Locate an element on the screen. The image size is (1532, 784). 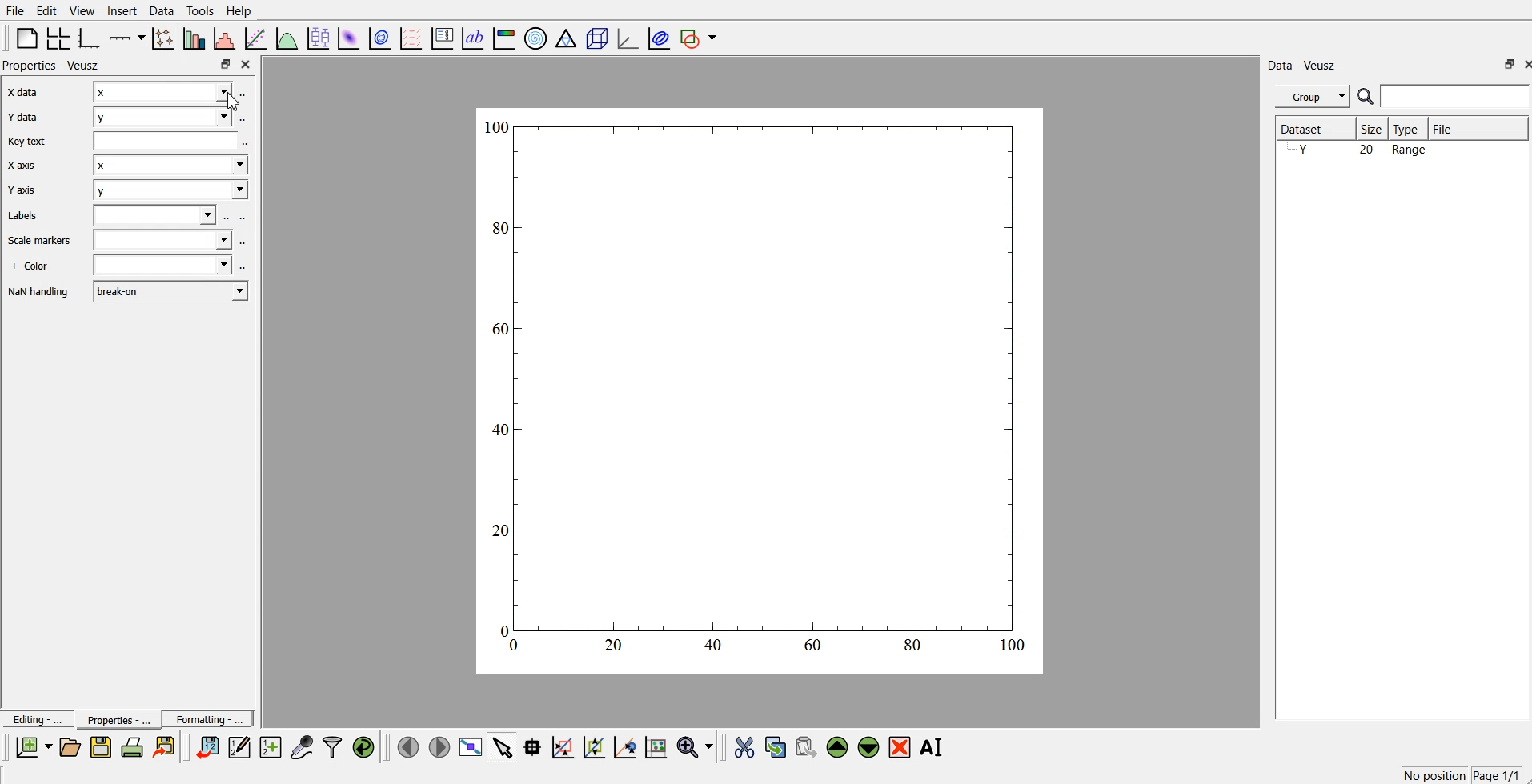
field is located at coordinates (162, 242).